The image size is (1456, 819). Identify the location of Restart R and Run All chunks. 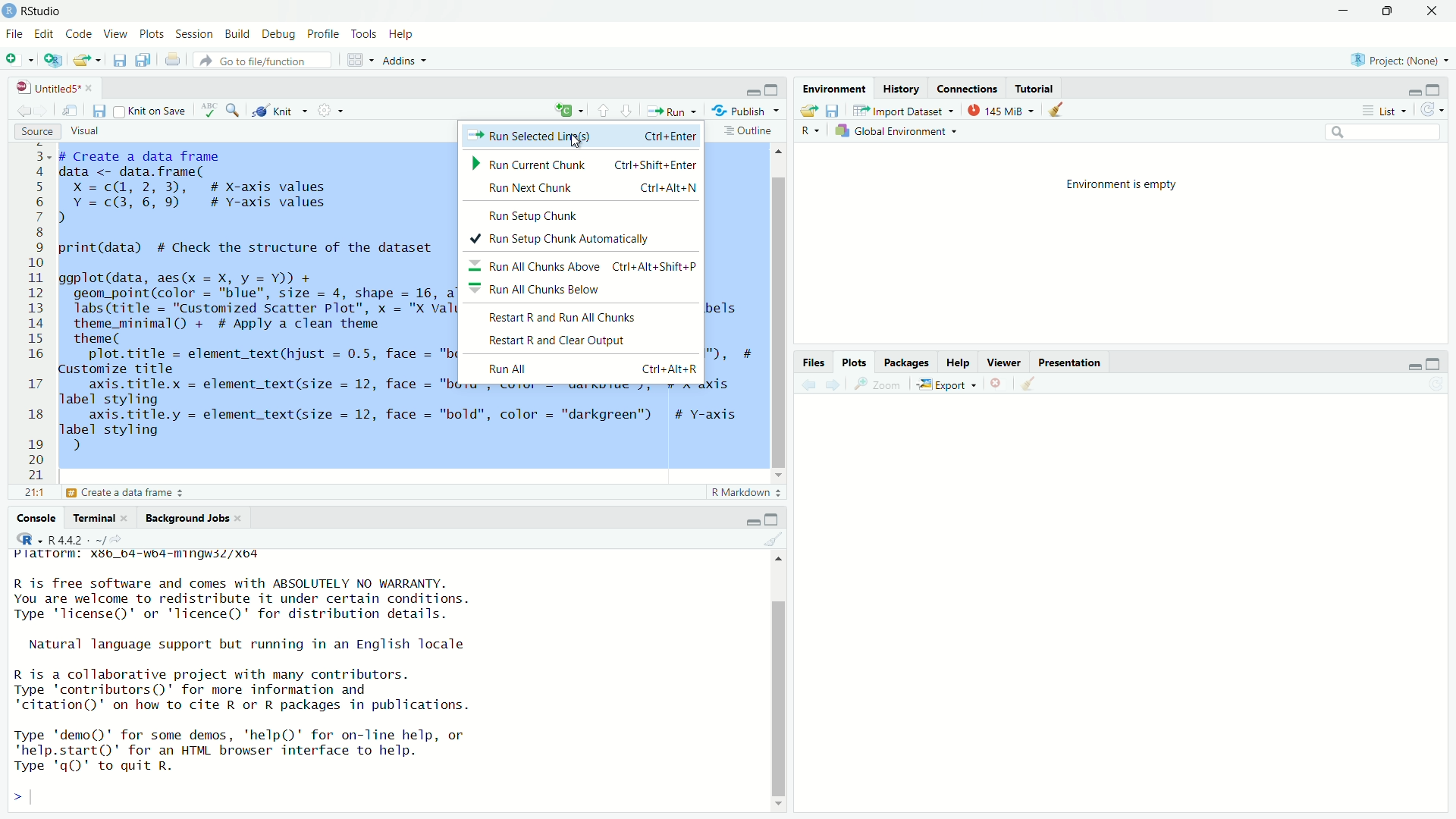
(559, 318).